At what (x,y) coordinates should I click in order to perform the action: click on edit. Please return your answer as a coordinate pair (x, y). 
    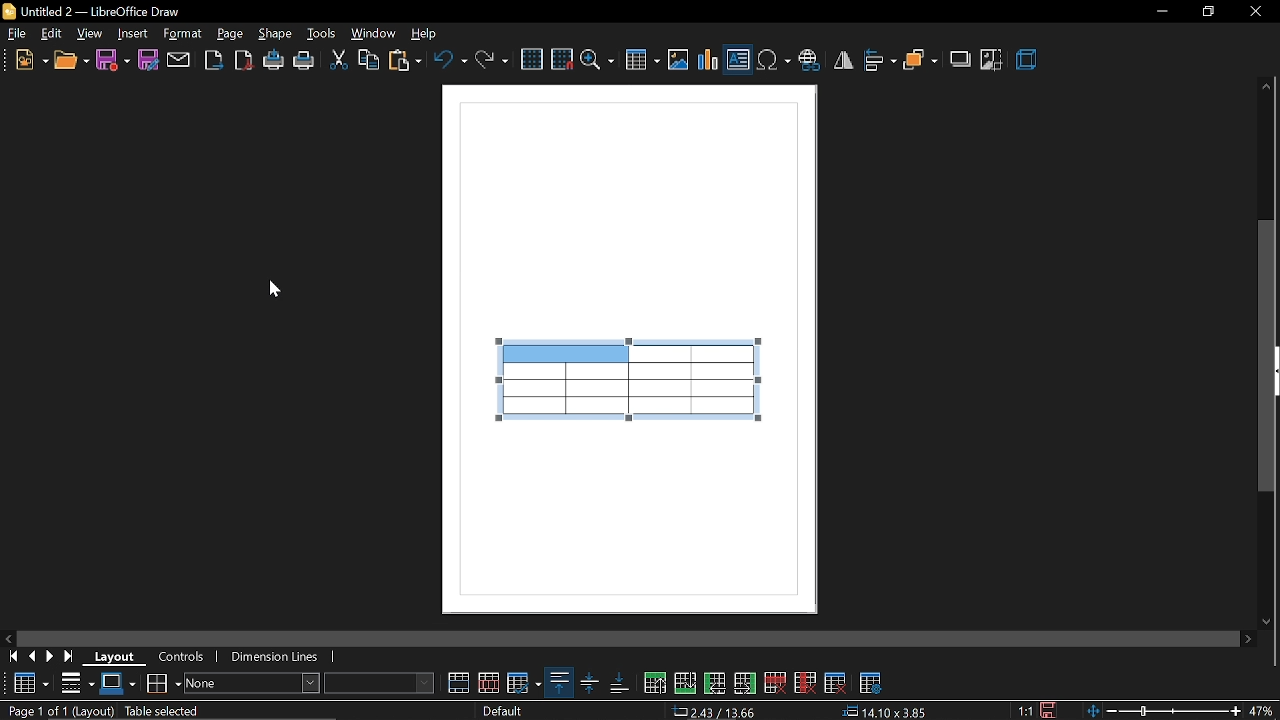
    Looking at the image, I should click on (50, 32).